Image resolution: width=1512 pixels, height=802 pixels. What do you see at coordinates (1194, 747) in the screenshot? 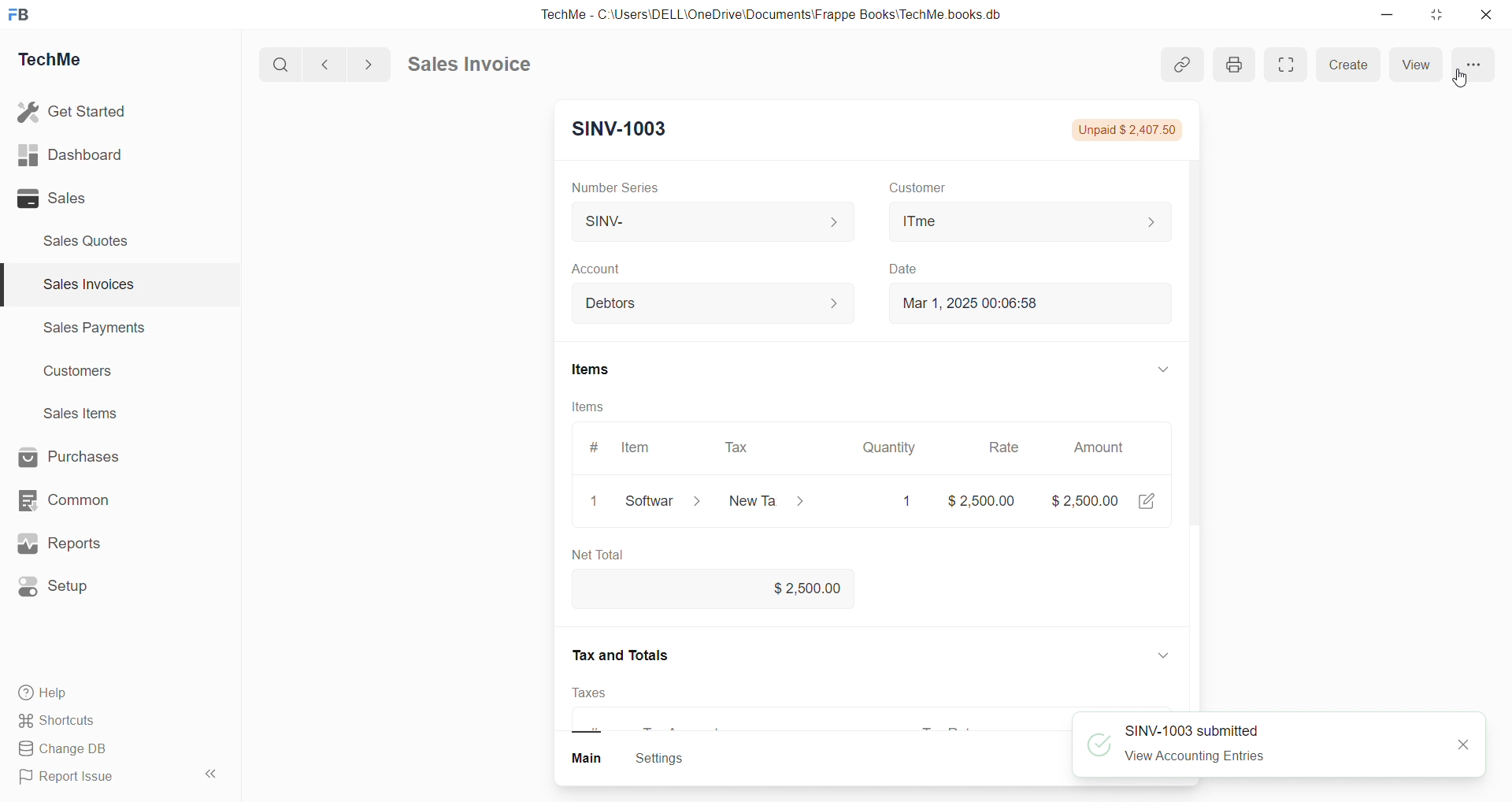
I see `SINV-1003 submitted
View Accounting Entries` at bounding box center [1194, 747].